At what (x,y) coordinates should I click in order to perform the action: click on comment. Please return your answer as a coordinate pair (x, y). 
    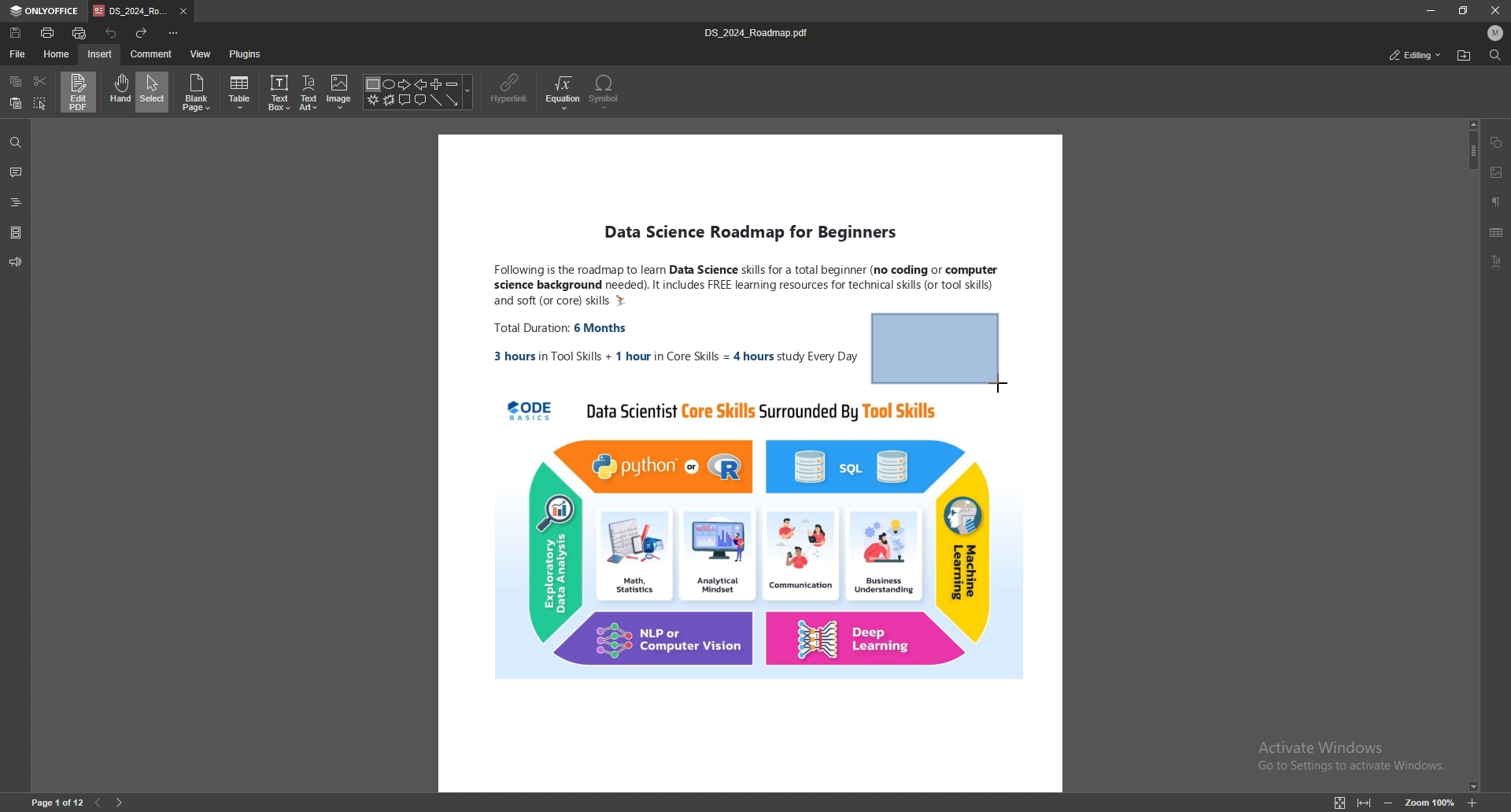
    Looking at the image, I should click on (151, 54).